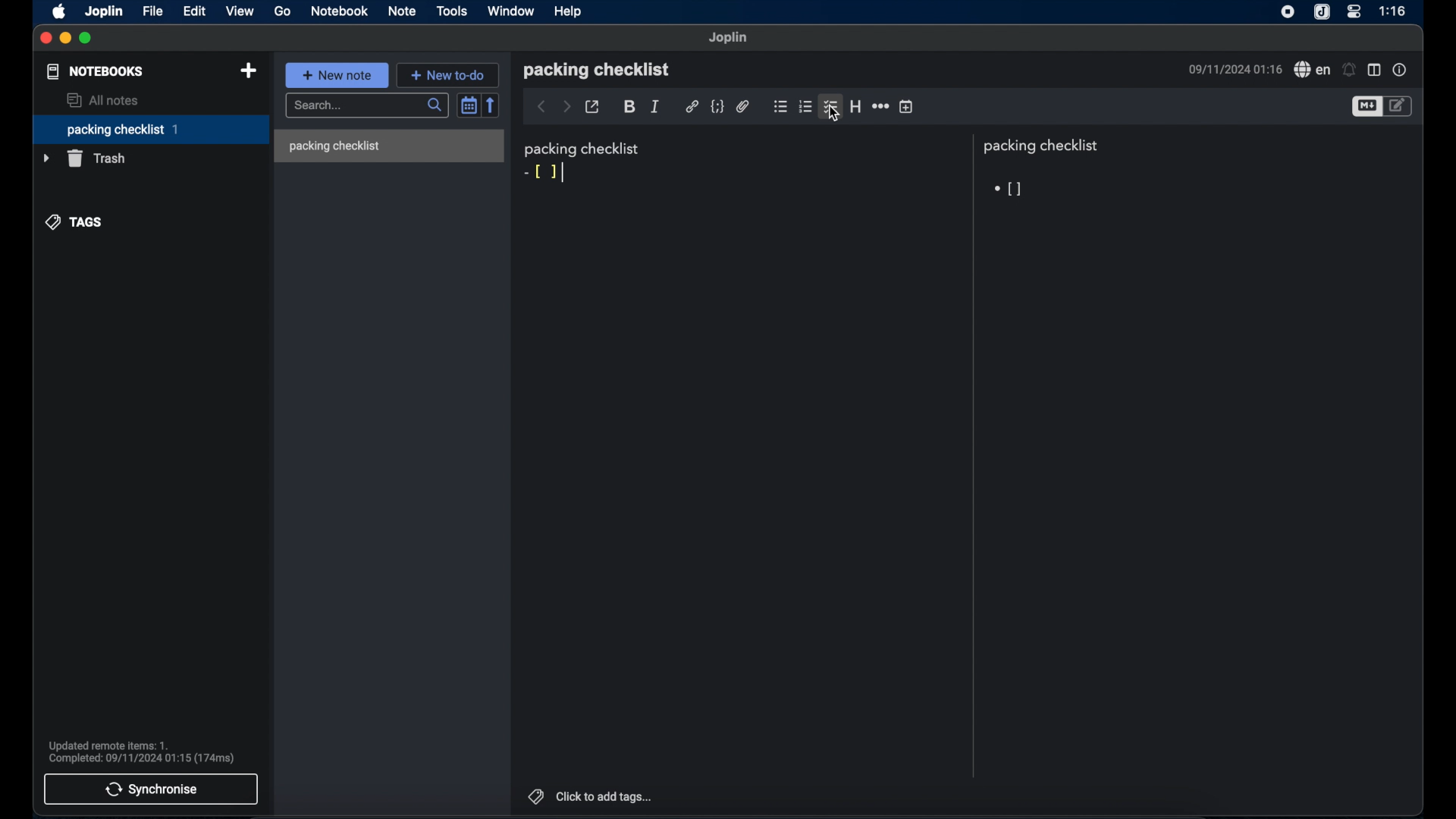  What do you see at coordinates (45, 38) in the screenshot?
I see `close` at bounding box center [45, 38].